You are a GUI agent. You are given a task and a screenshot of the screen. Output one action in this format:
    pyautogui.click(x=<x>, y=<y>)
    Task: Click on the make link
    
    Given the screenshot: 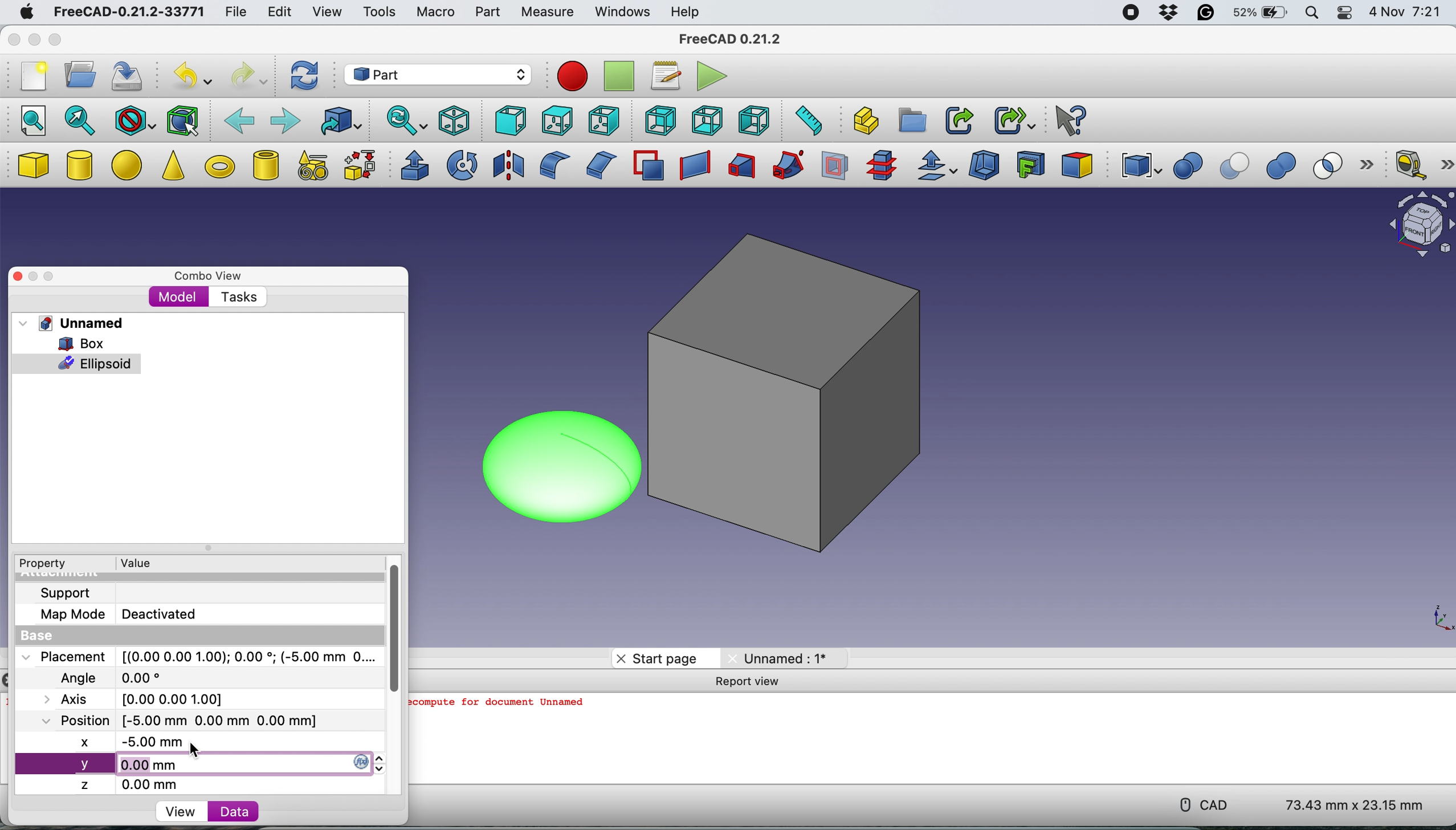 What is the action you would take?
    pyautogui.click(x=959, y=120)
    